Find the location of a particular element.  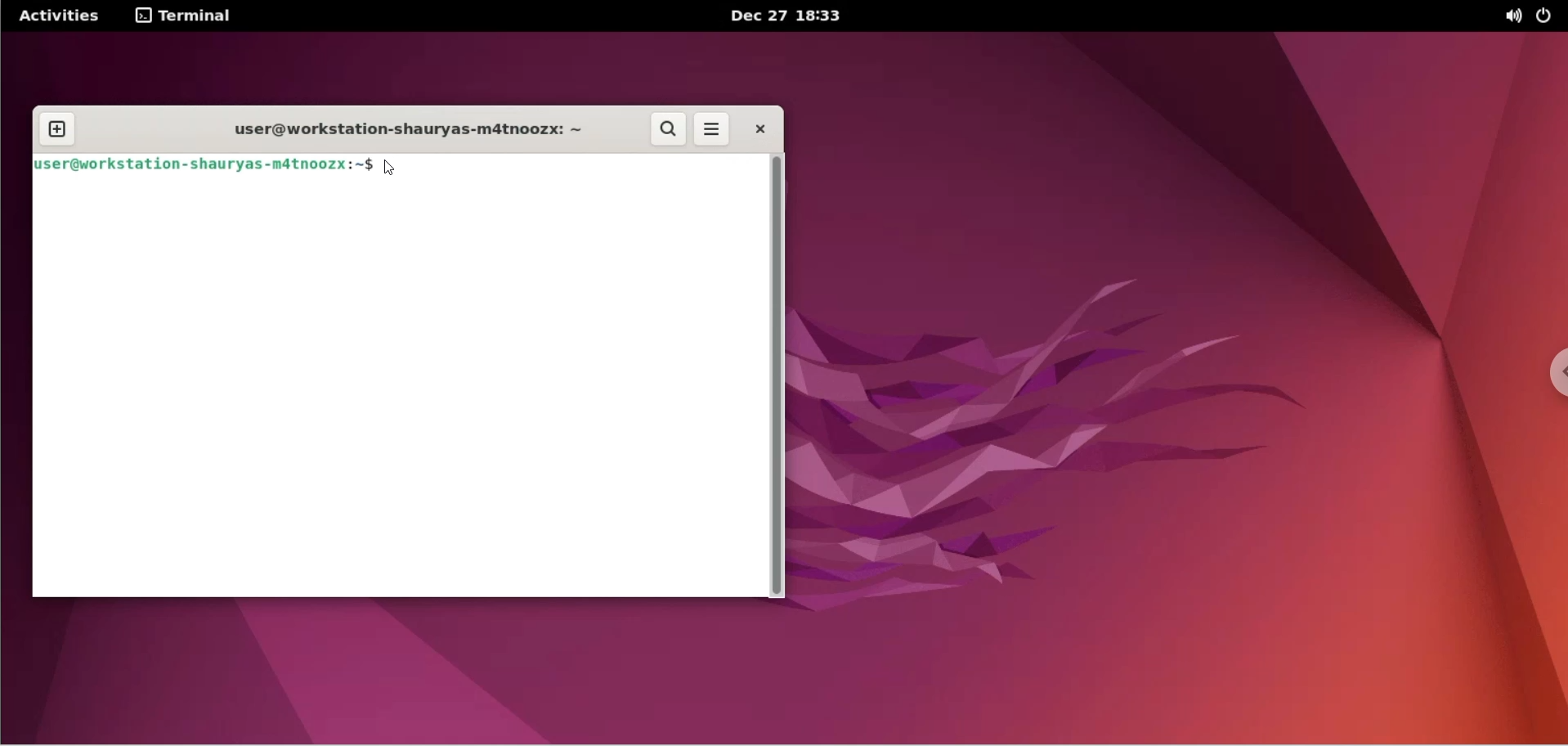

cursor  is located at coordinates (393, 169).